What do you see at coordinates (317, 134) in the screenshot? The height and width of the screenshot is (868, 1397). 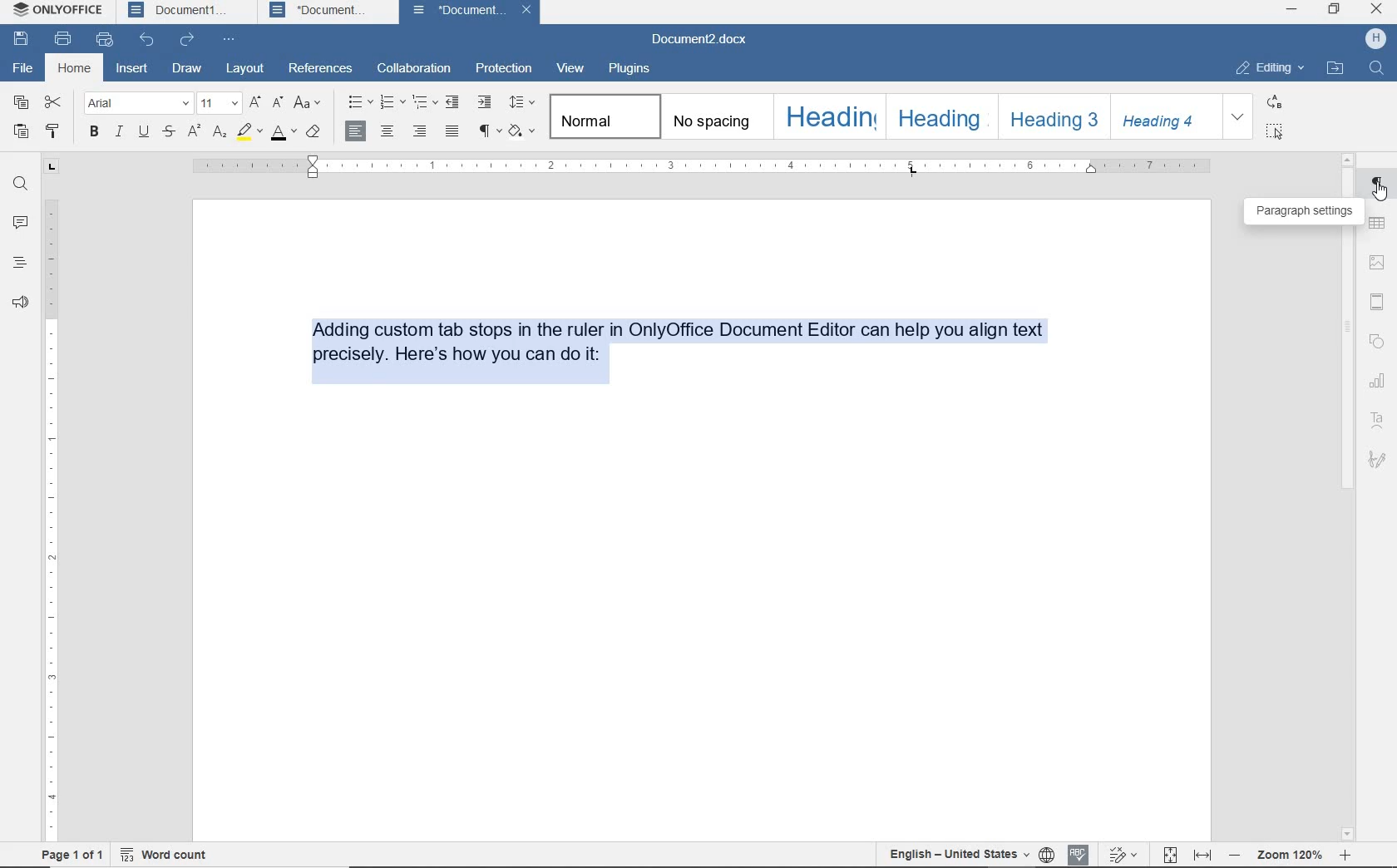 I see `clear style` at bounding box center [317, 134].